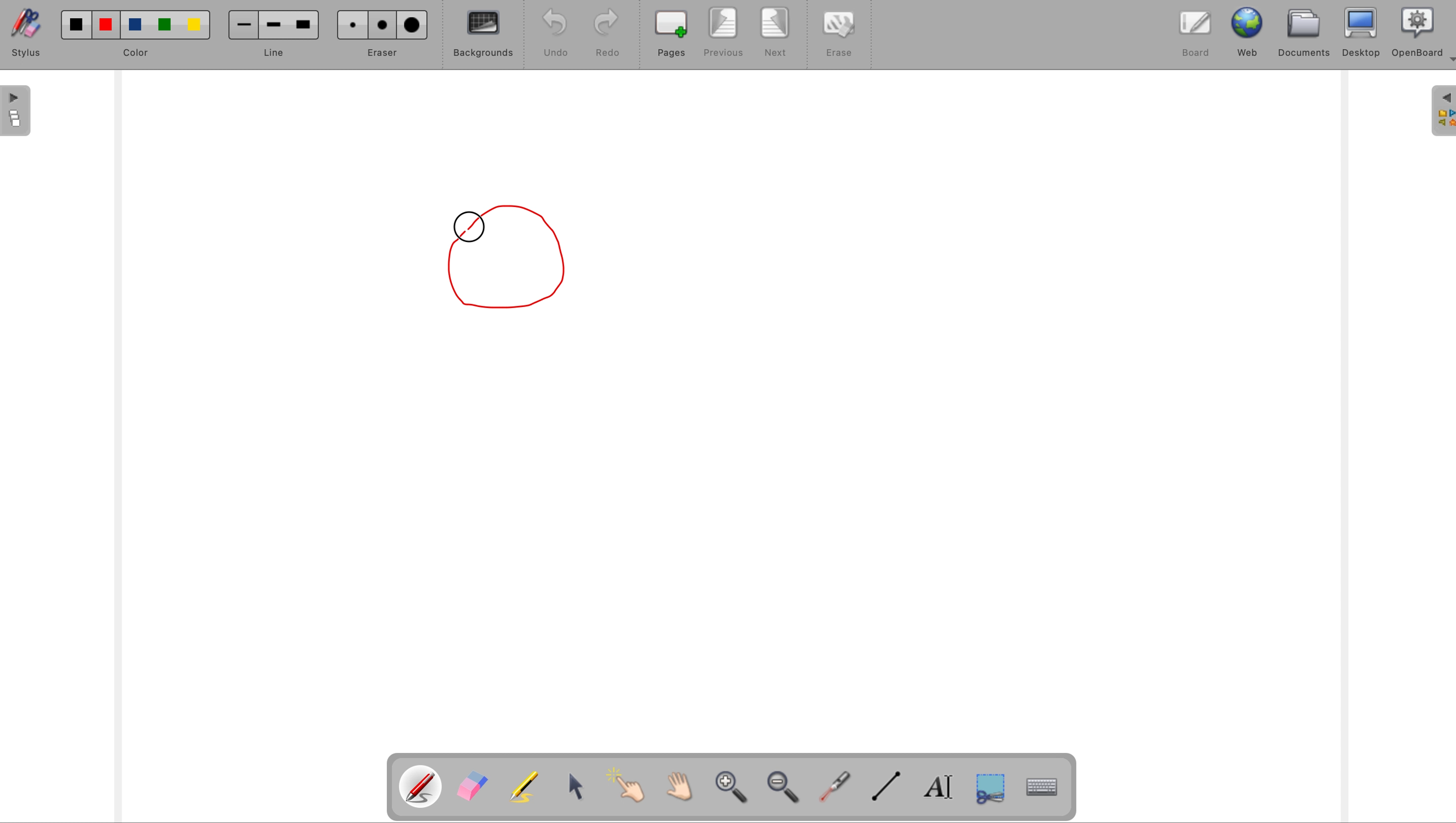 Image resolution: width=1456 pixels, height=823 pixels. What do you see at coordinates (483, 37) in the screenshot?
I see `backgrounds` at bounding box center [483, 37].